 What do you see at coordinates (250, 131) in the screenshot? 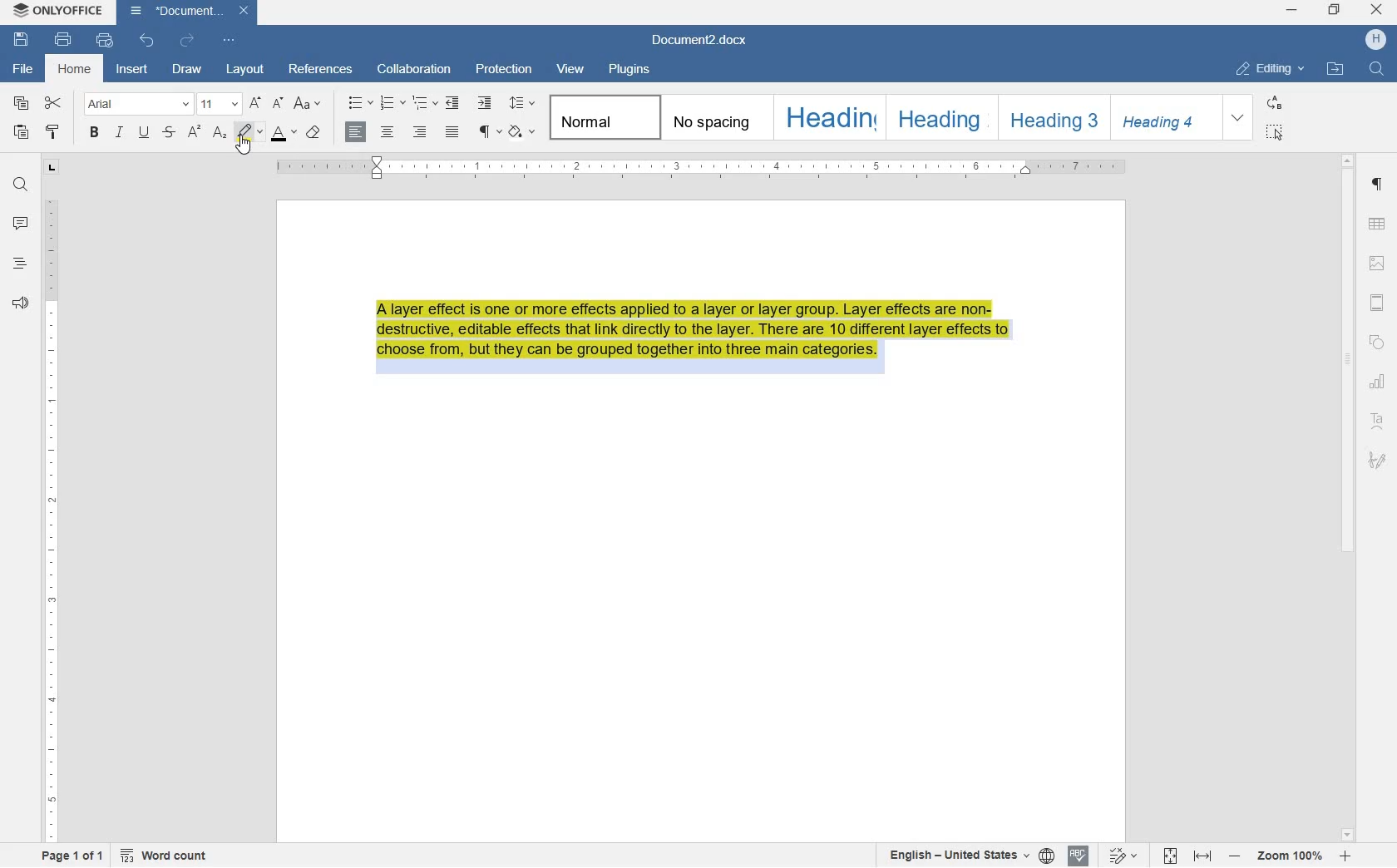
I see `HIGHLIGHT COLOR` at bounding box center [250, 131].